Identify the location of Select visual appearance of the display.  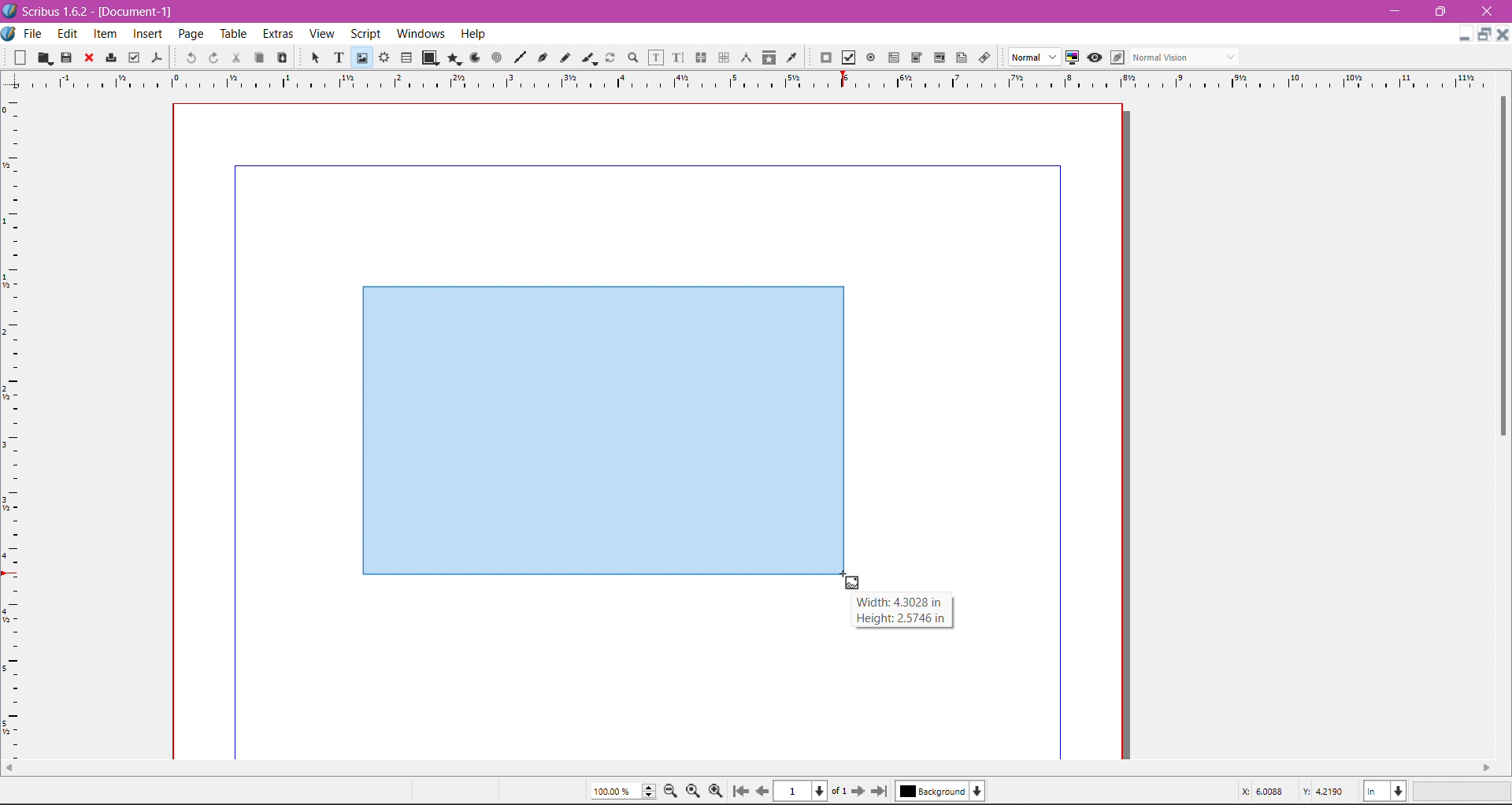
(1188, 57).